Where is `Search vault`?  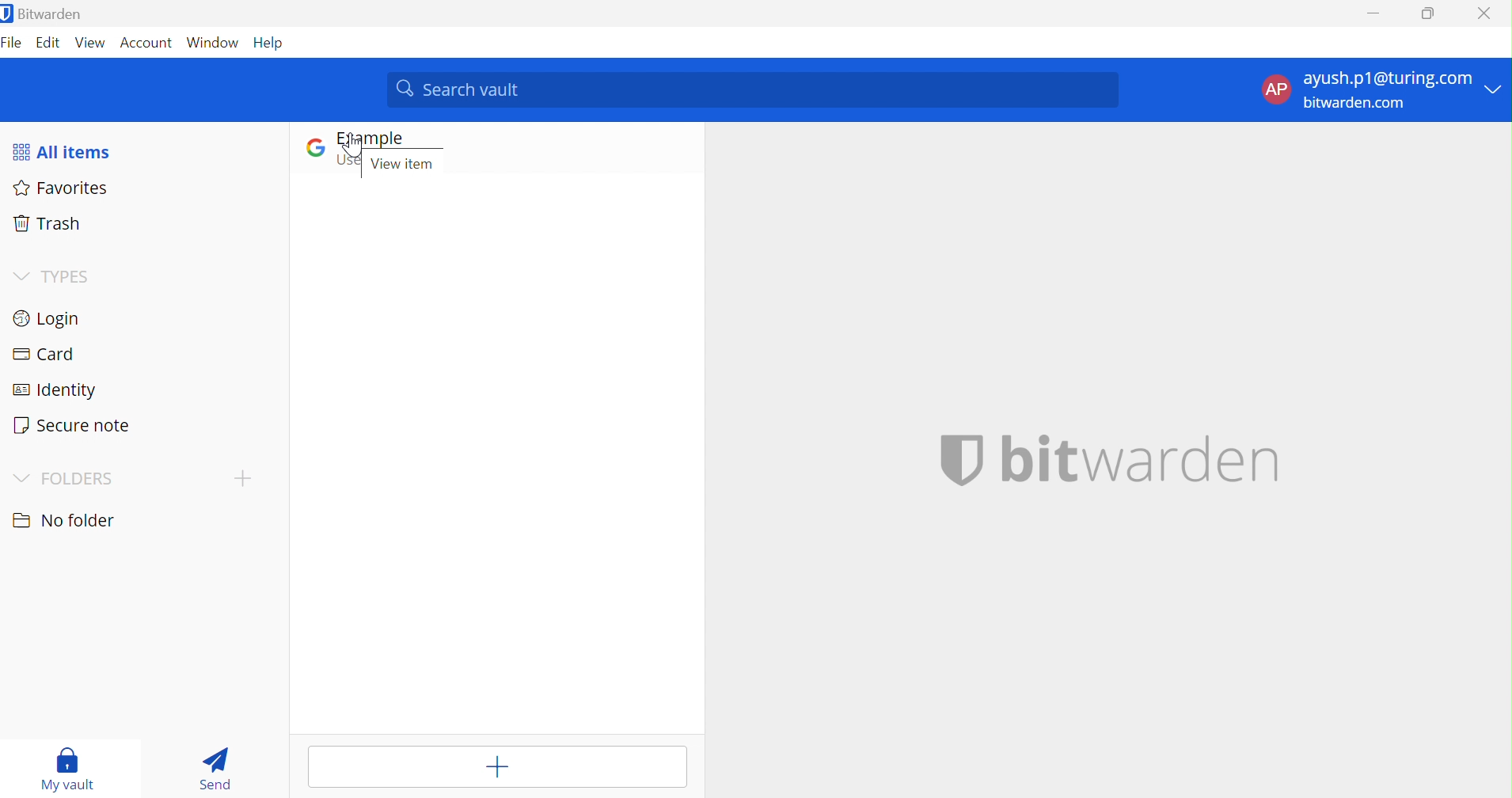
Search vault is located at coordinates (754, 89).